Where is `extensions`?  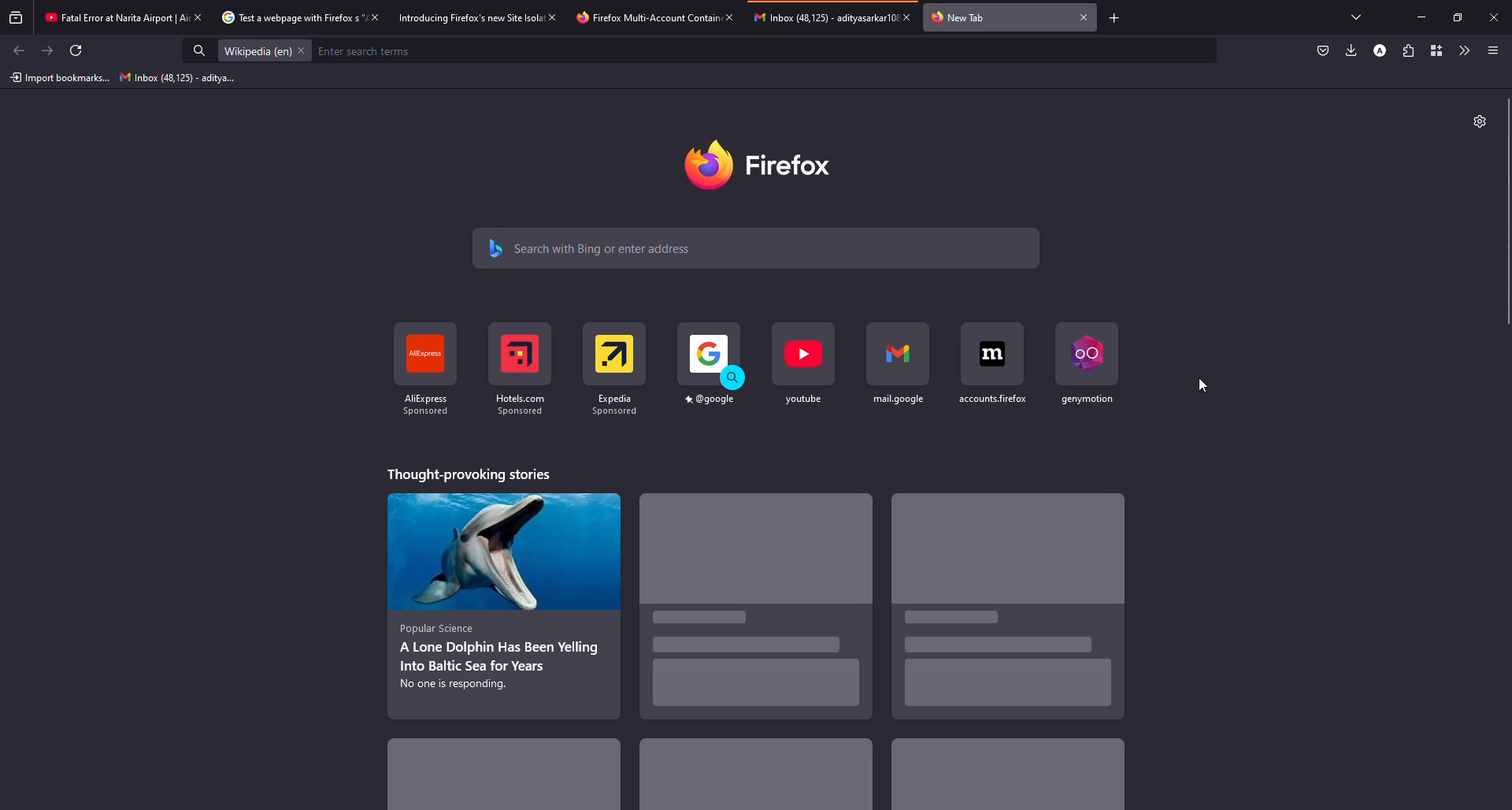
extensions is located at coordinates (1410, 51).